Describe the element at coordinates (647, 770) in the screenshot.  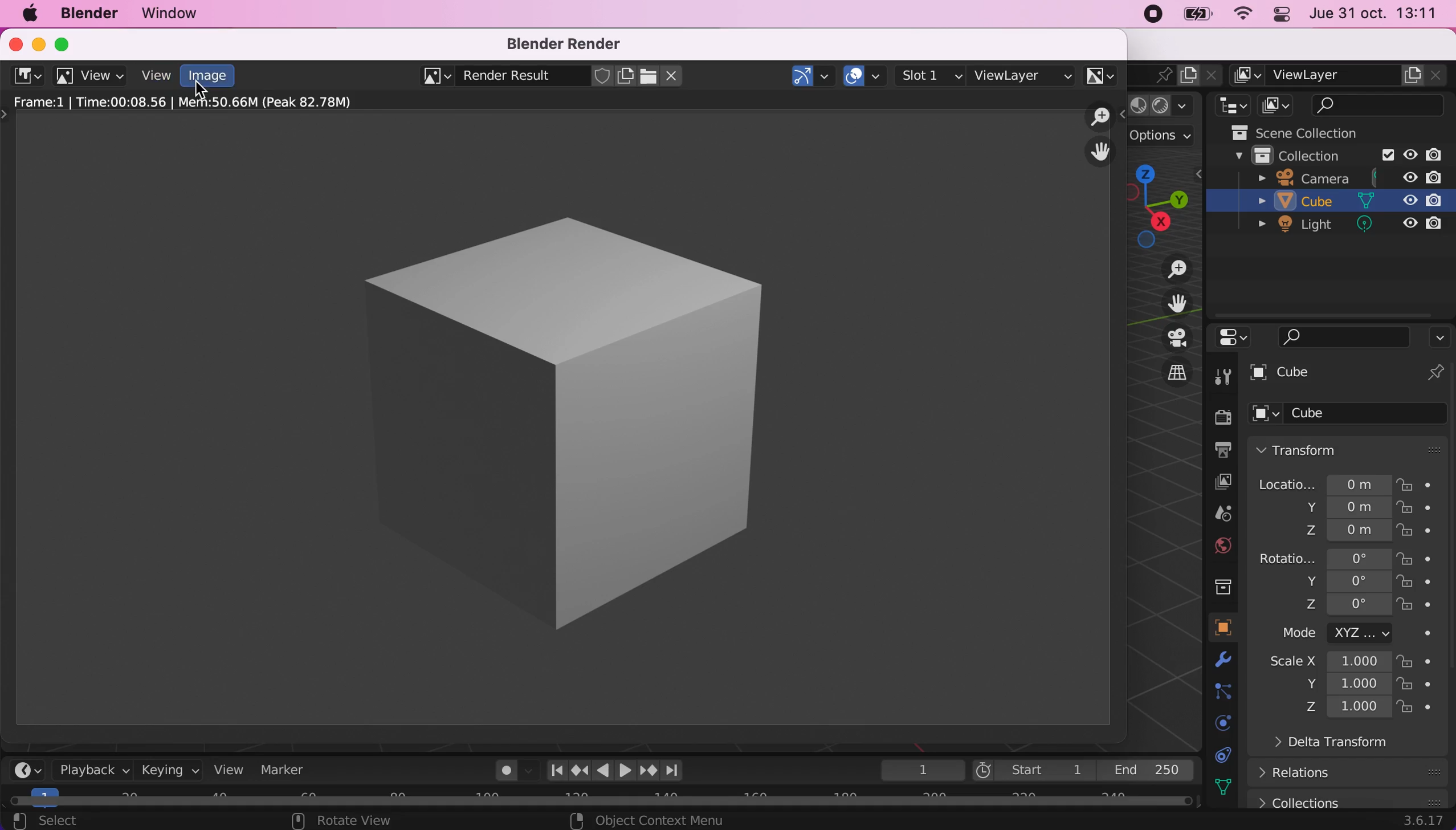
I see `jump to next keyframe` at that location.